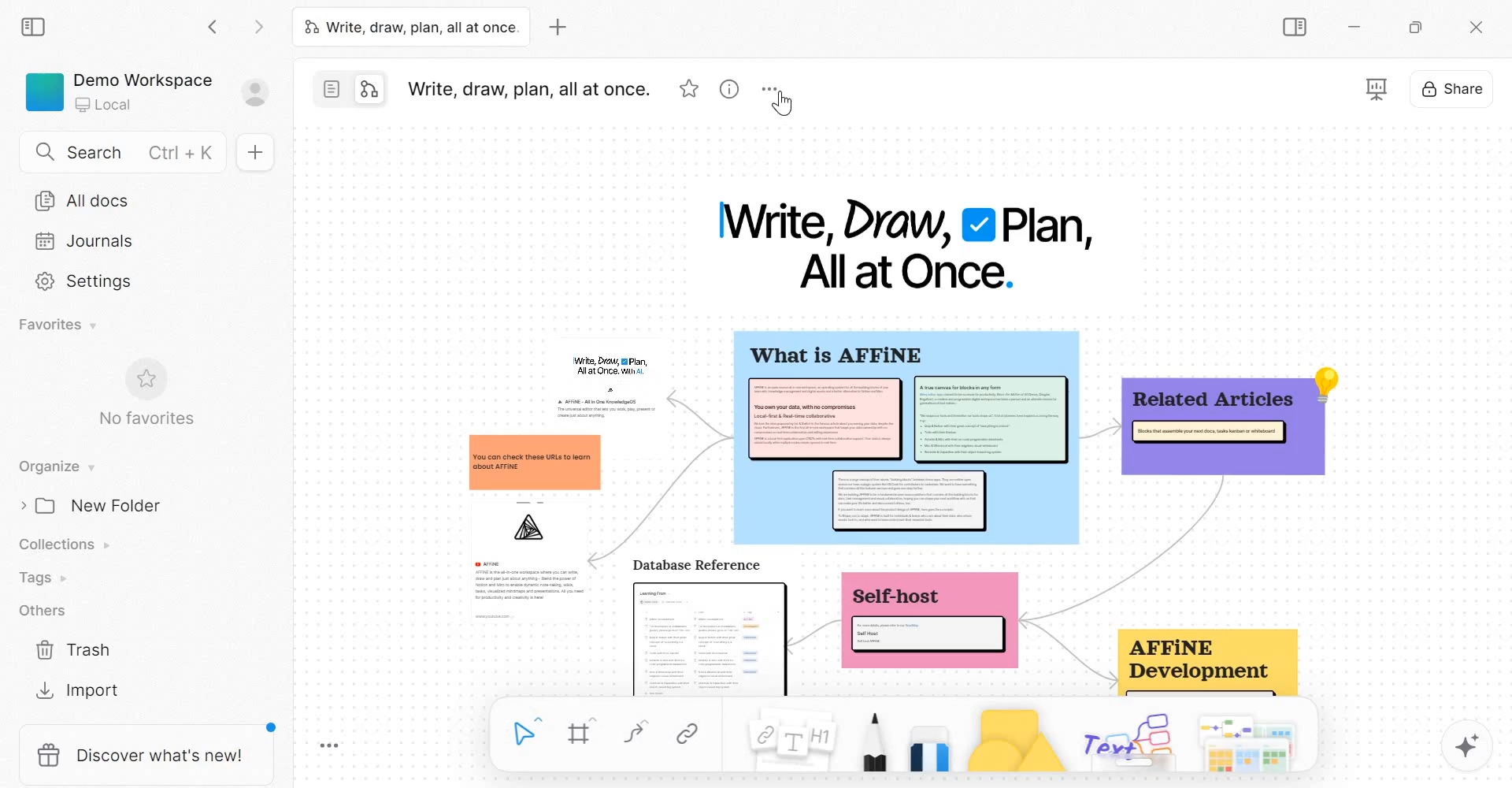  Describe the element at coordinates (873, 743) in the screenshot. I see `Pen` at that location.